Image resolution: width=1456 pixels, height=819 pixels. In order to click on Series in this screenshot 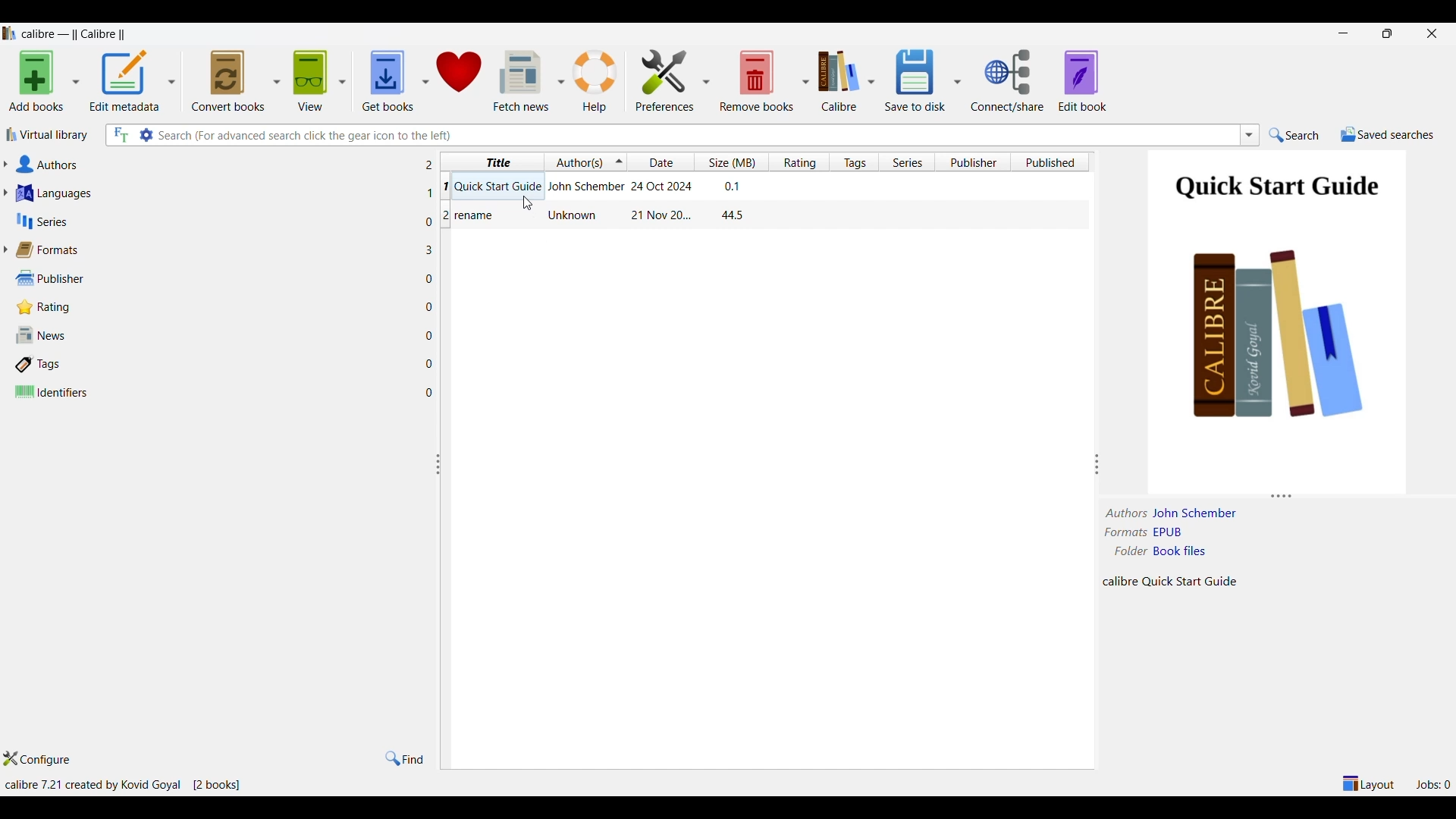, I will do `click(215, 221)`.